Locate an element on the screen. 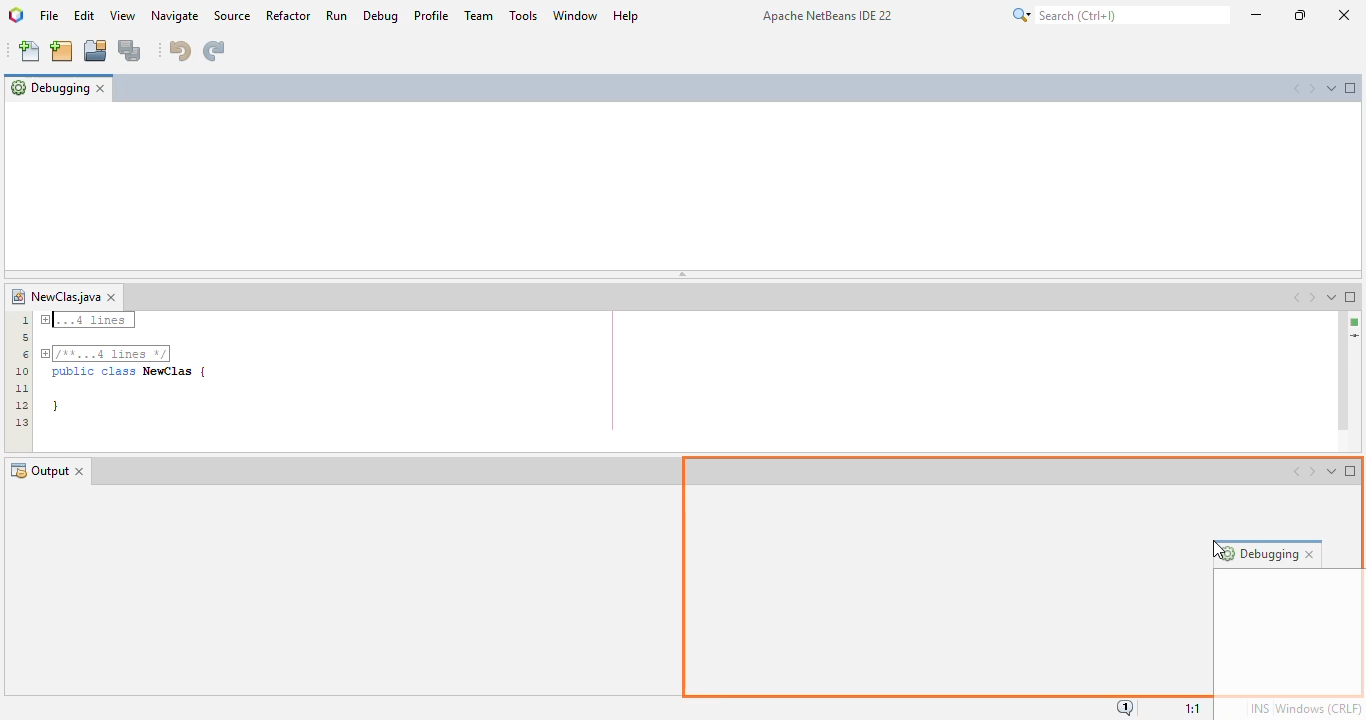  Cursor is located at coordinates (1208, 549).